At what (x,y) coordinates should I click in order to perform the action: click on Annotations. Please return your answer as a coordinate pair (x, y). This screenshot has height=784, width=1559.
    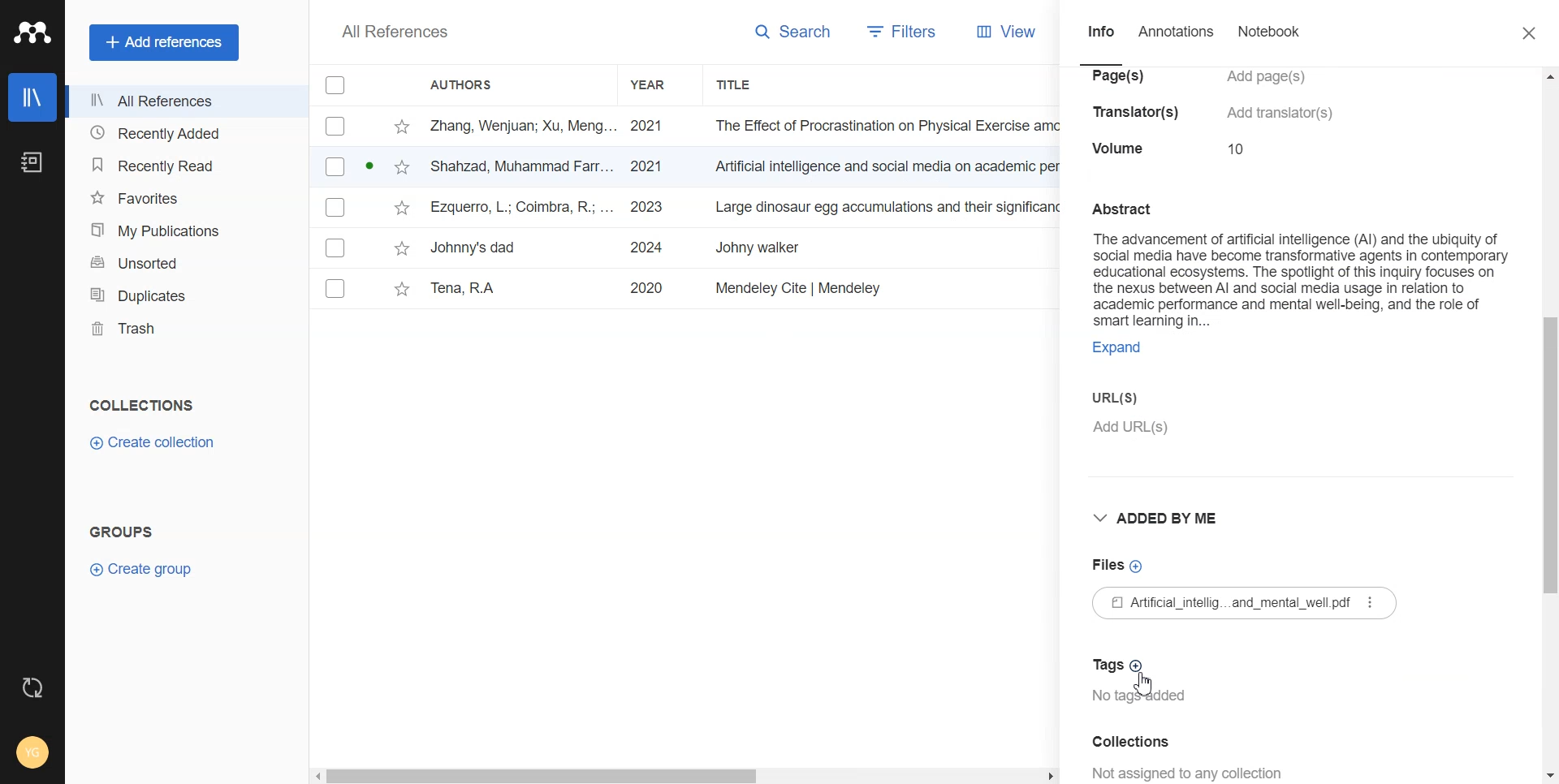
    Looking at the image, I should click on (1177, 40).